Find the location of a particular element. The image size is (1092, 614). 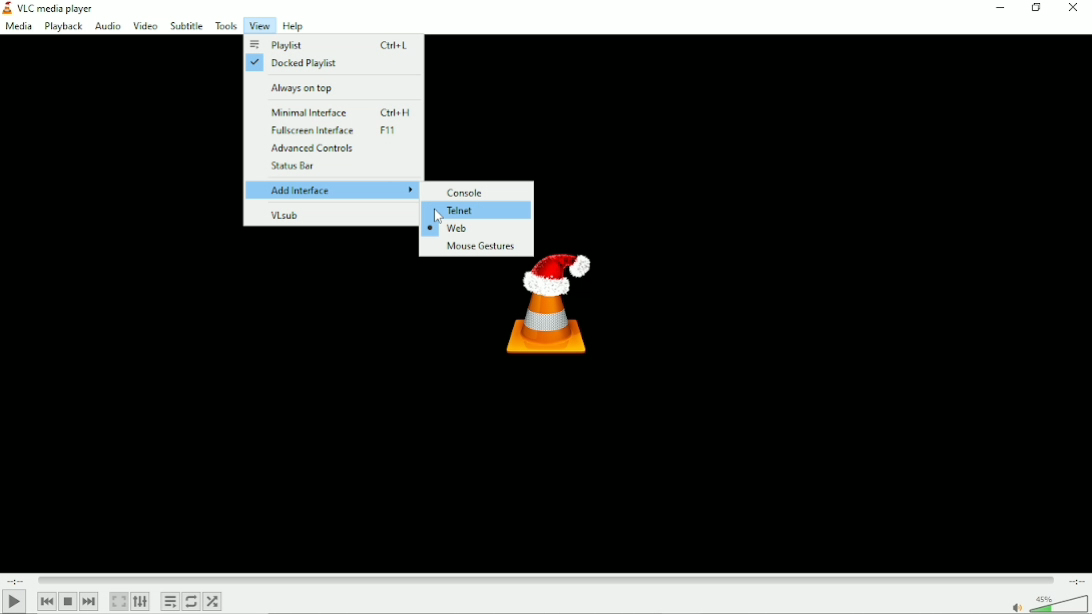

Mouse gestures is located at coordinates (477, 247).